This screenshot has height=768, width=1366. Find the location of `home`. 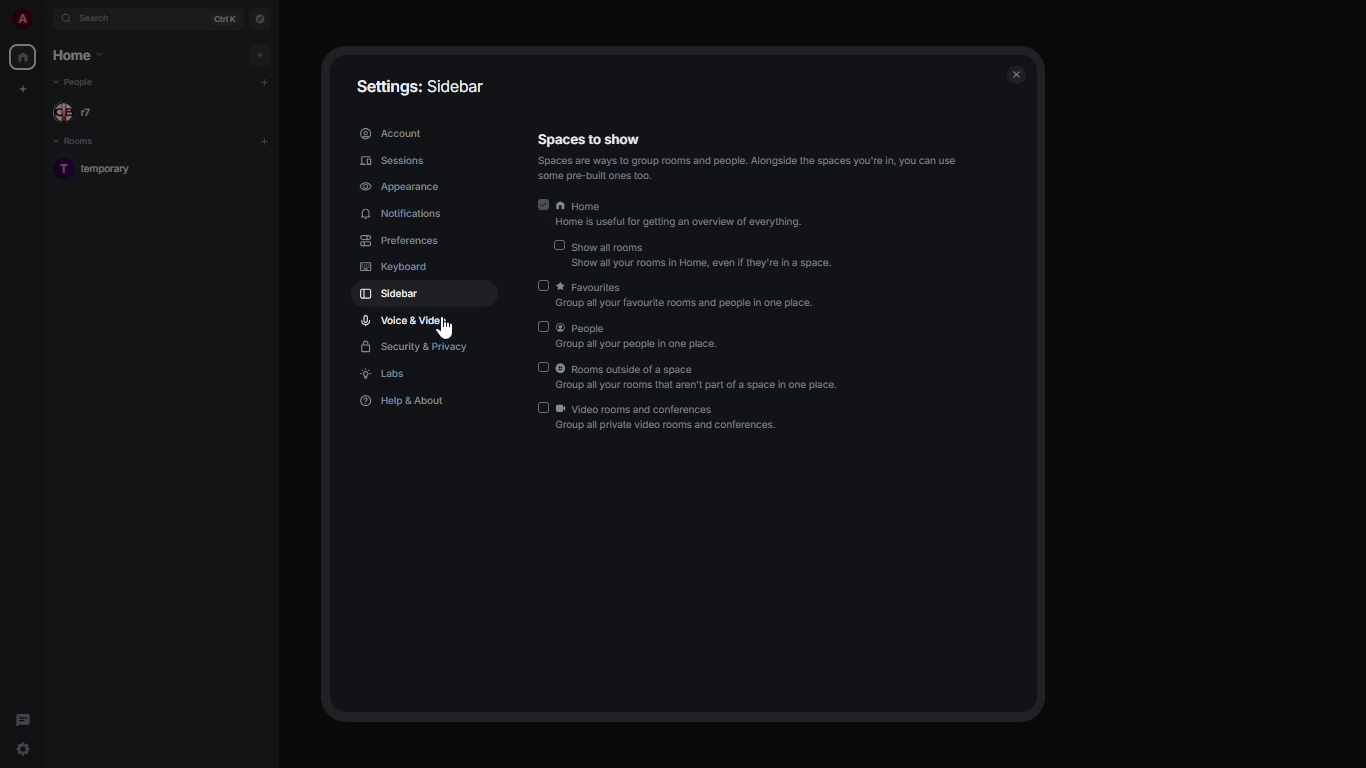

home is located at coordinates (679, 216).